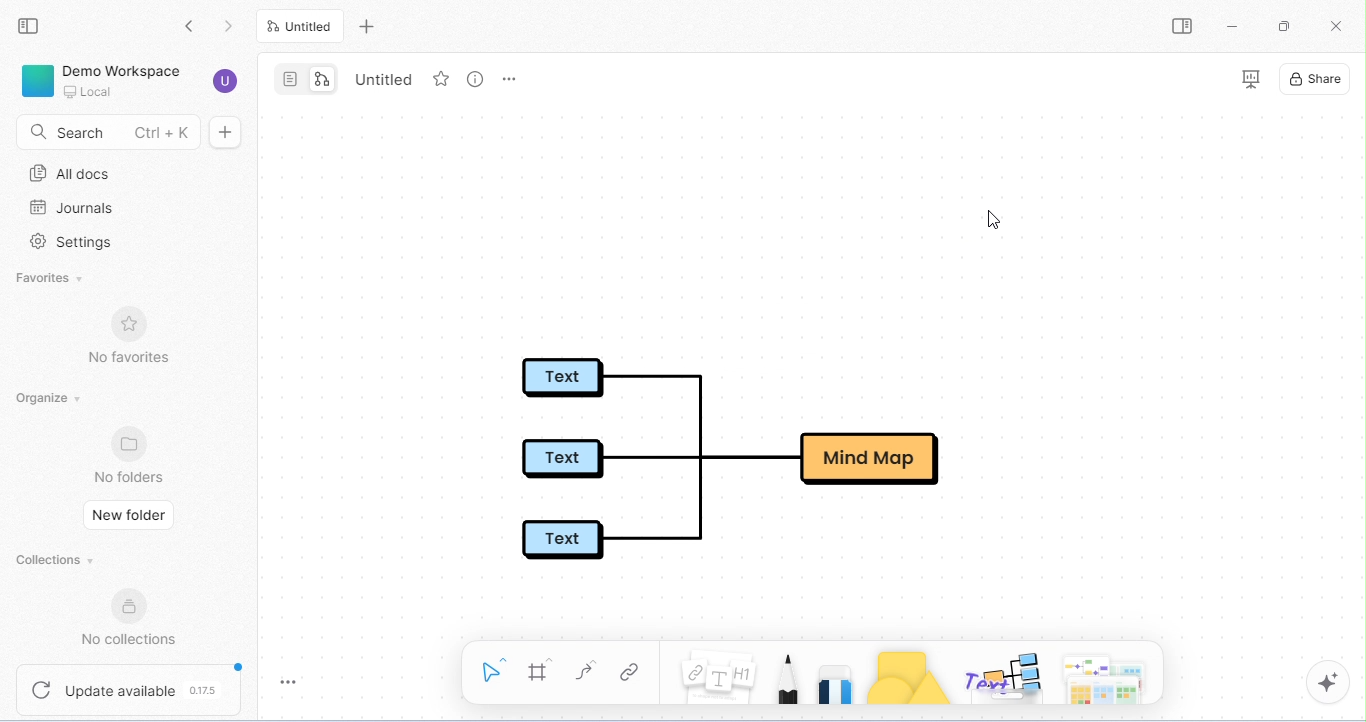  What do you see at coordinates (288, 685) in the screenshot?
I see `toggle zoom` at bounding box center [288, 685].